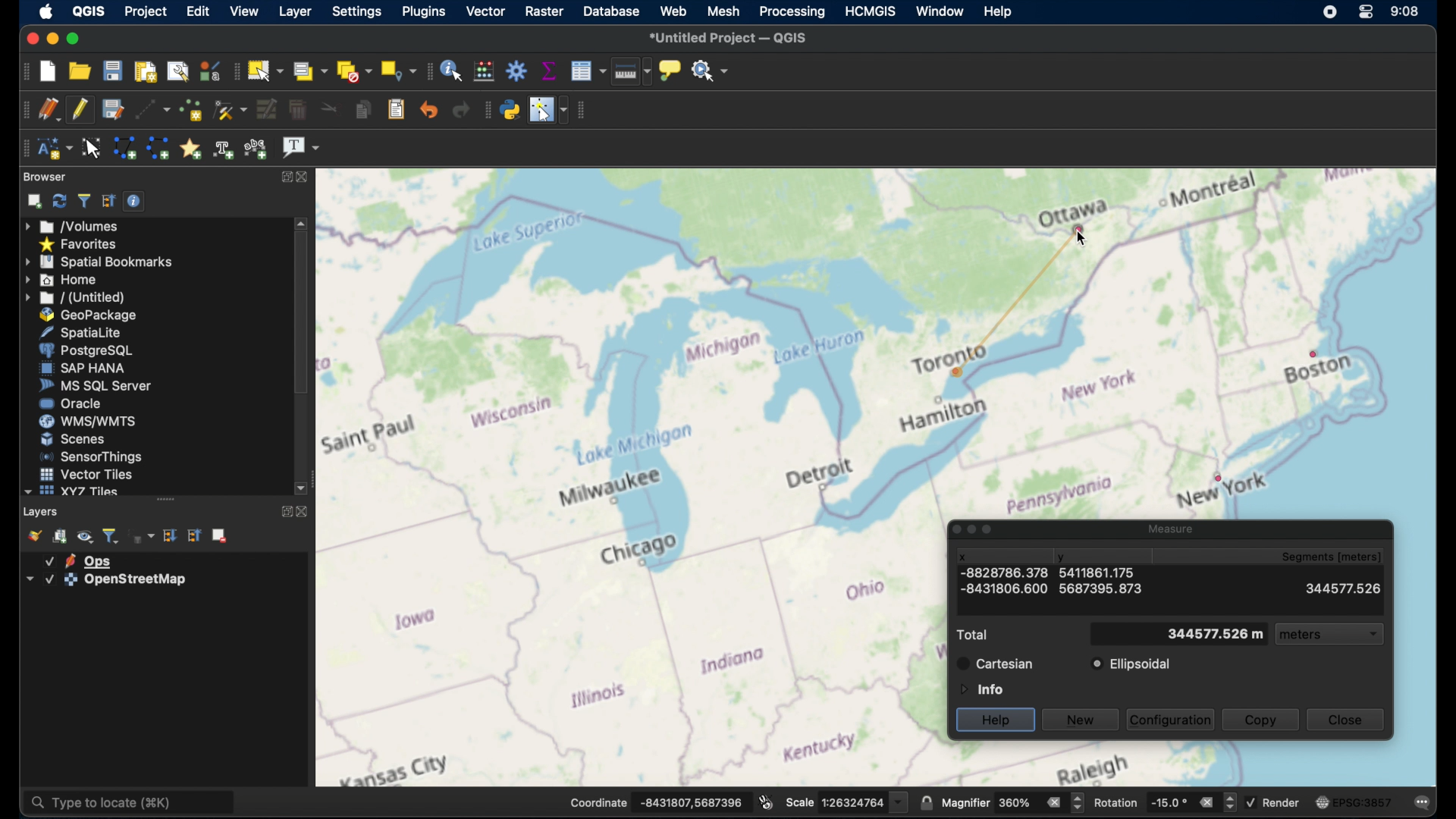  What do you see at coordinates (22, 110) in the screenshot?
I see `digitizing toolbar` at bounding box center [22, 110].